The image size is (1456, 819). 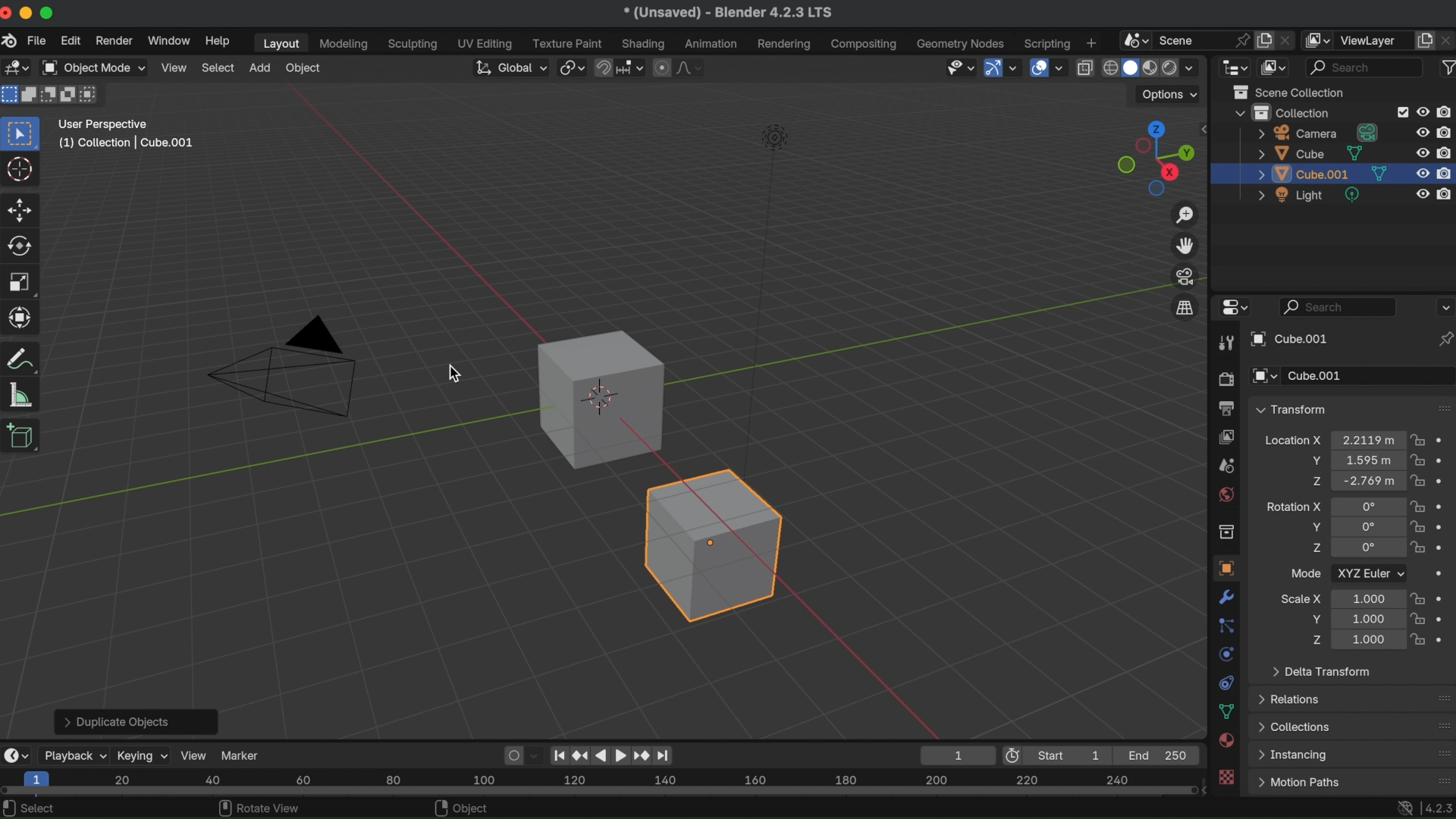 I want to click on animate property, so click(x=1444, y=481).